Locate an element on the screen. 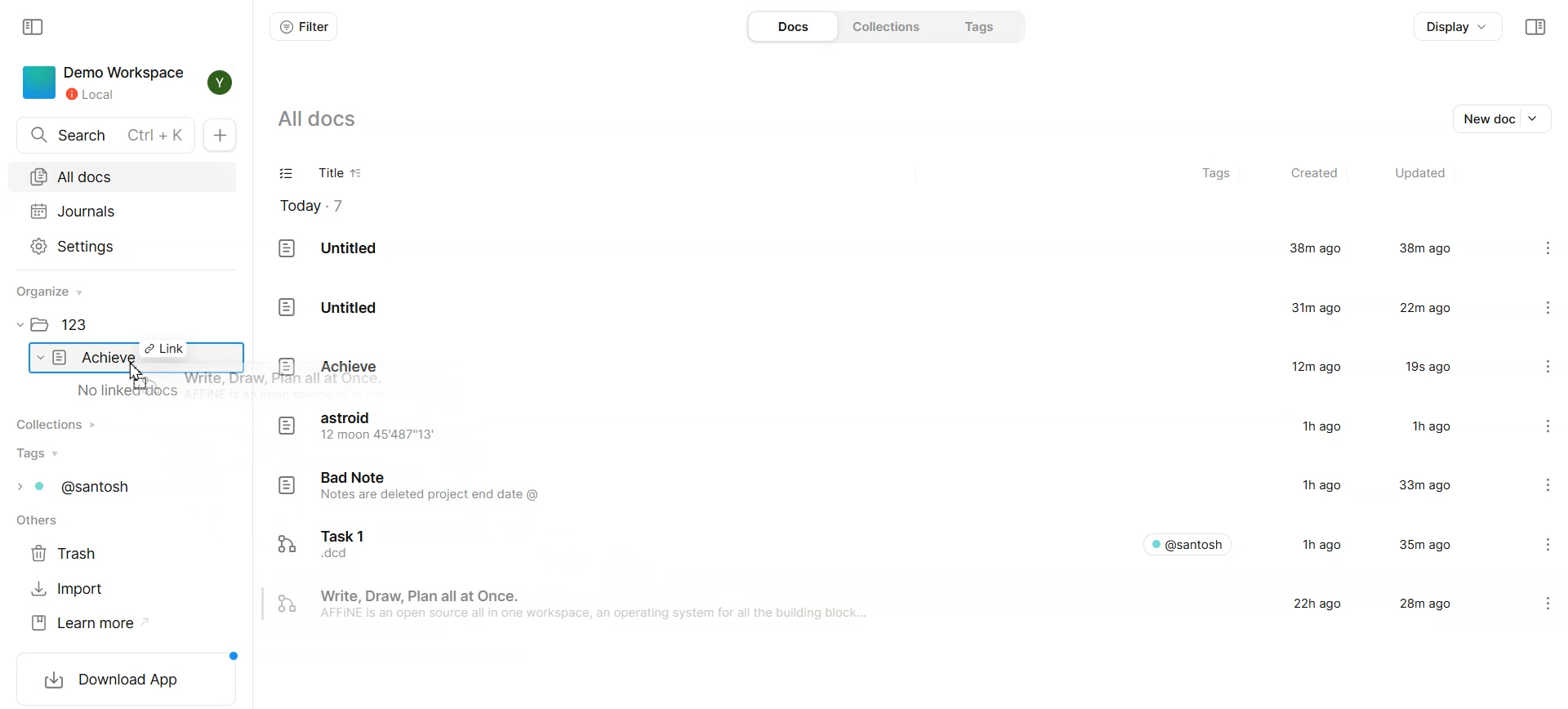 The width and height of the screenshot is (1568, 709). Settings is located at coordinates (1532, 249).